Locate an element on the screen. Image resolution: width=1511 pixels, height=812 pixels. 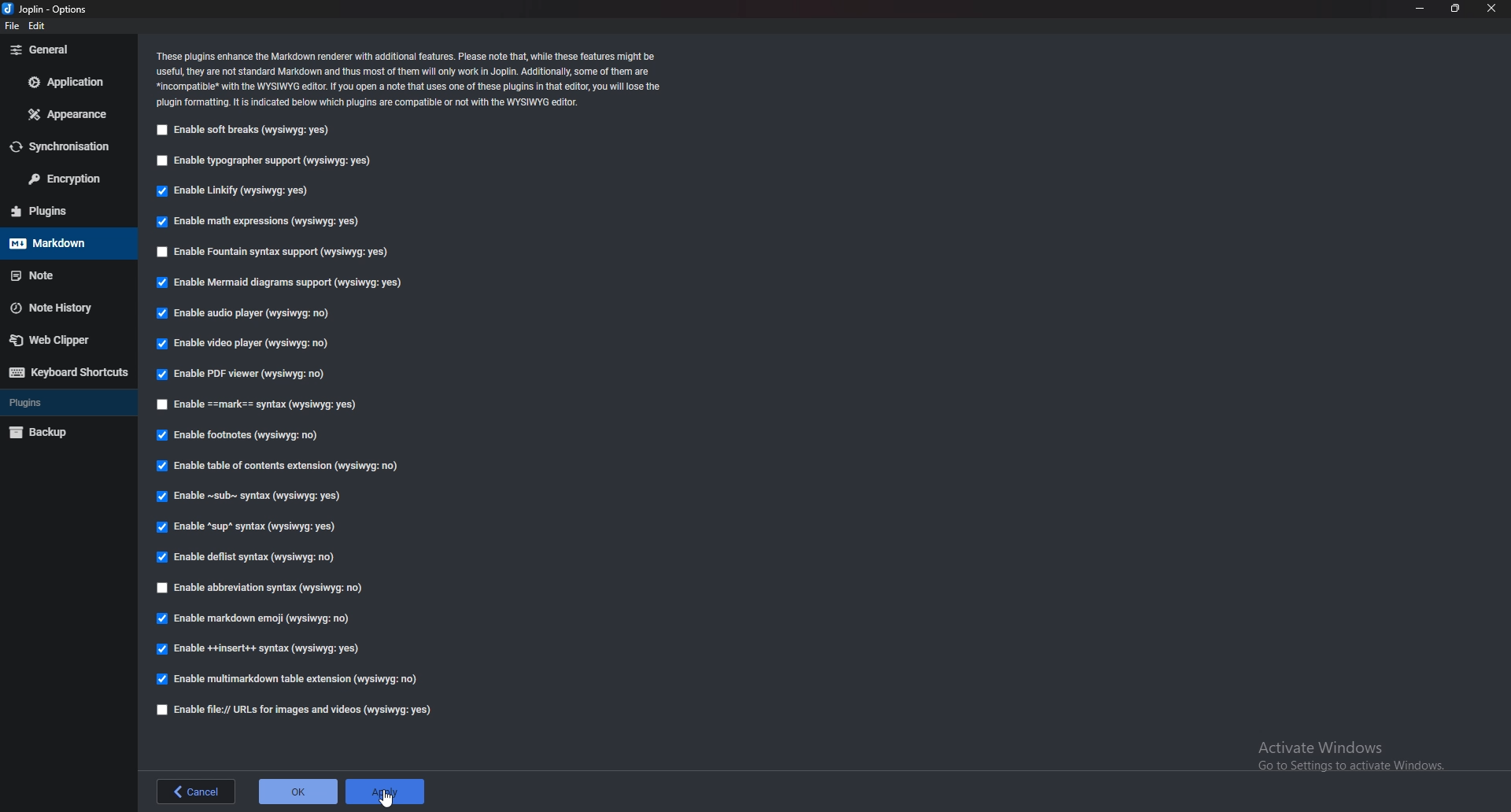
file is located at coordinates (14, 24).